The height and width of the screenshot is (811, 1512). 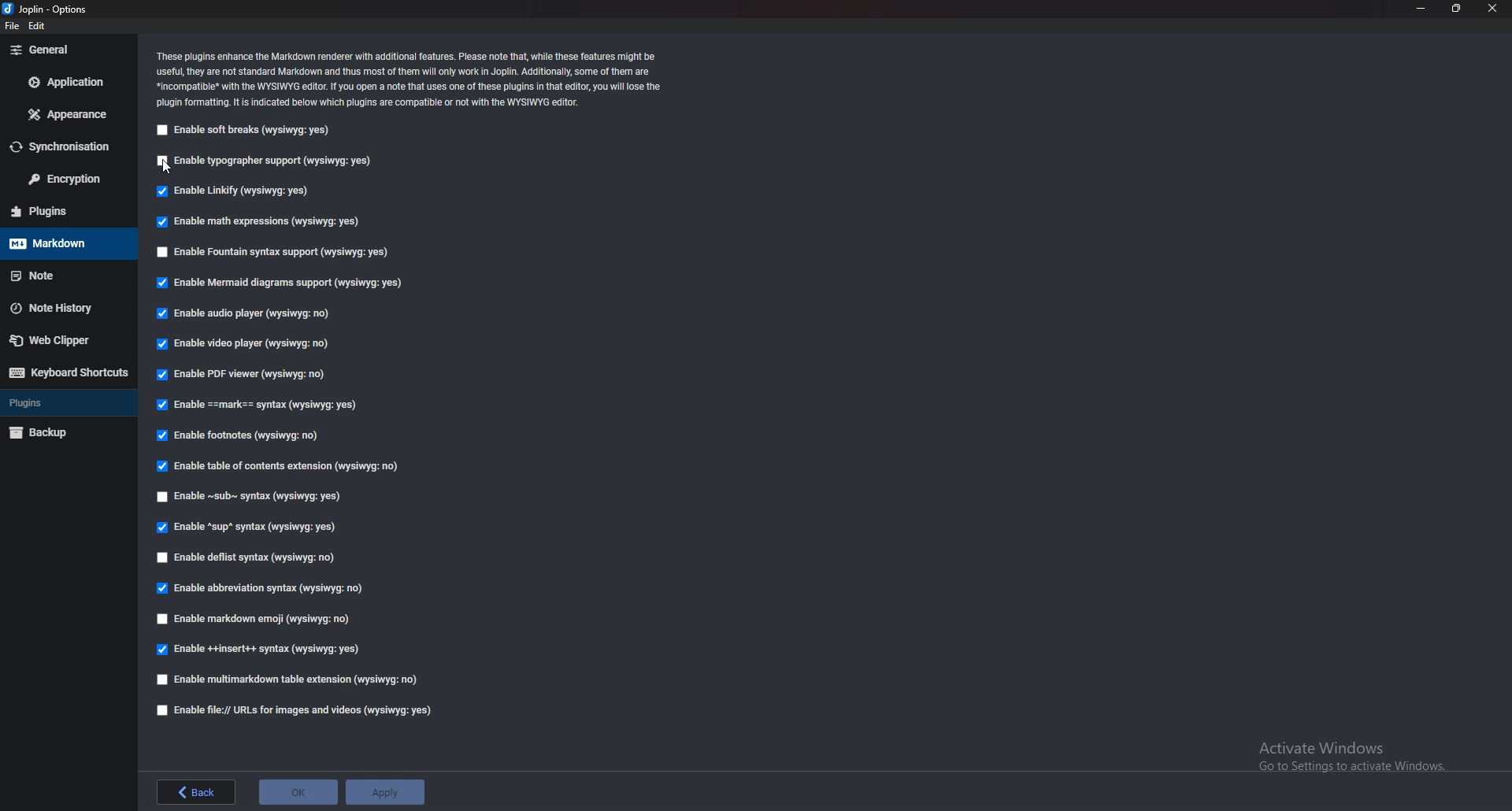 What do you see at coordinates (384, 794) in the screenshot?
I see `apply` at bounding box center [384, 794].